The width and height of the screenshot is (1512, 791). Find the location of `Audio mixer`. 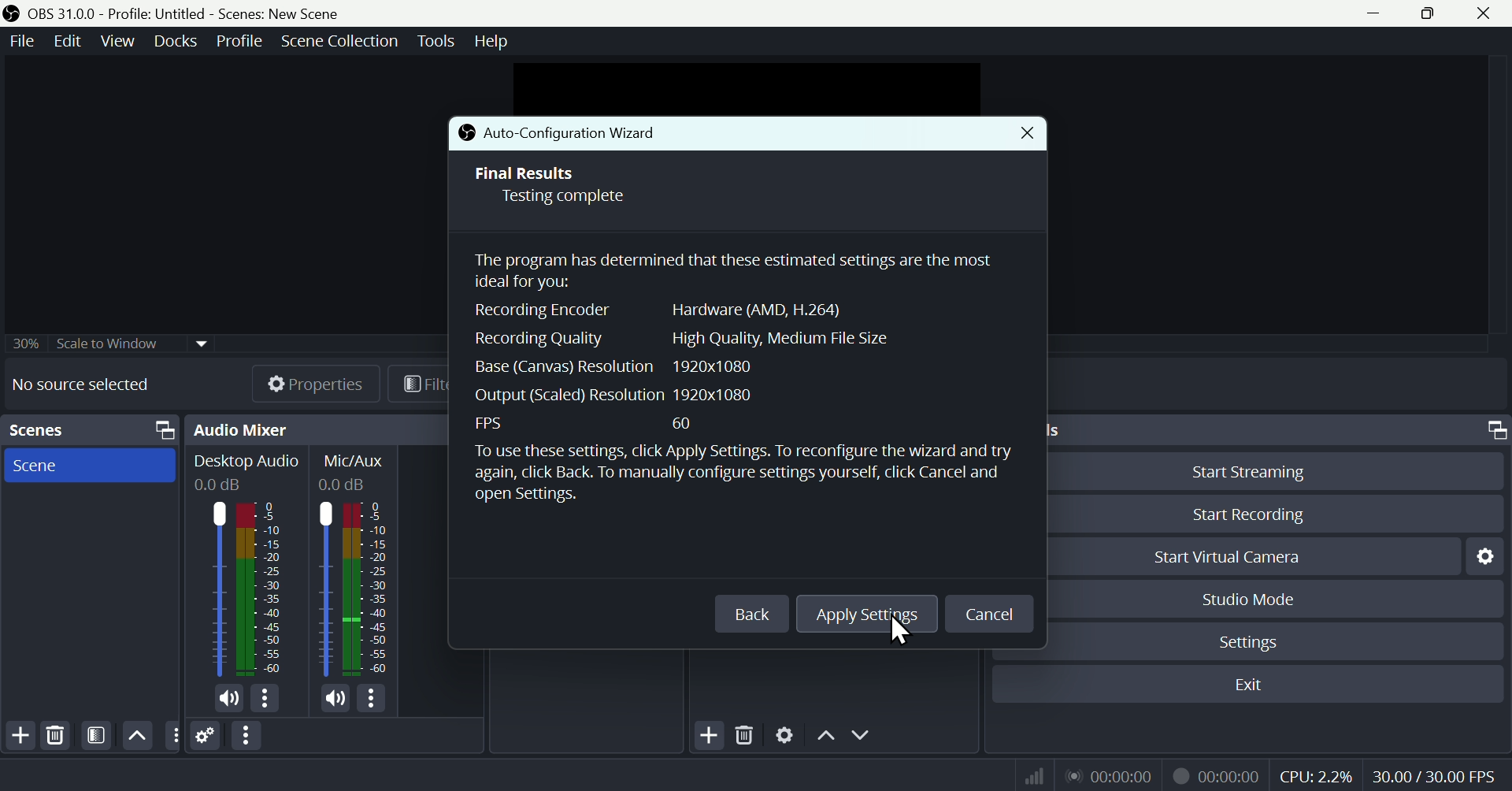

Audio mixer is located at coordinates (246, 567).